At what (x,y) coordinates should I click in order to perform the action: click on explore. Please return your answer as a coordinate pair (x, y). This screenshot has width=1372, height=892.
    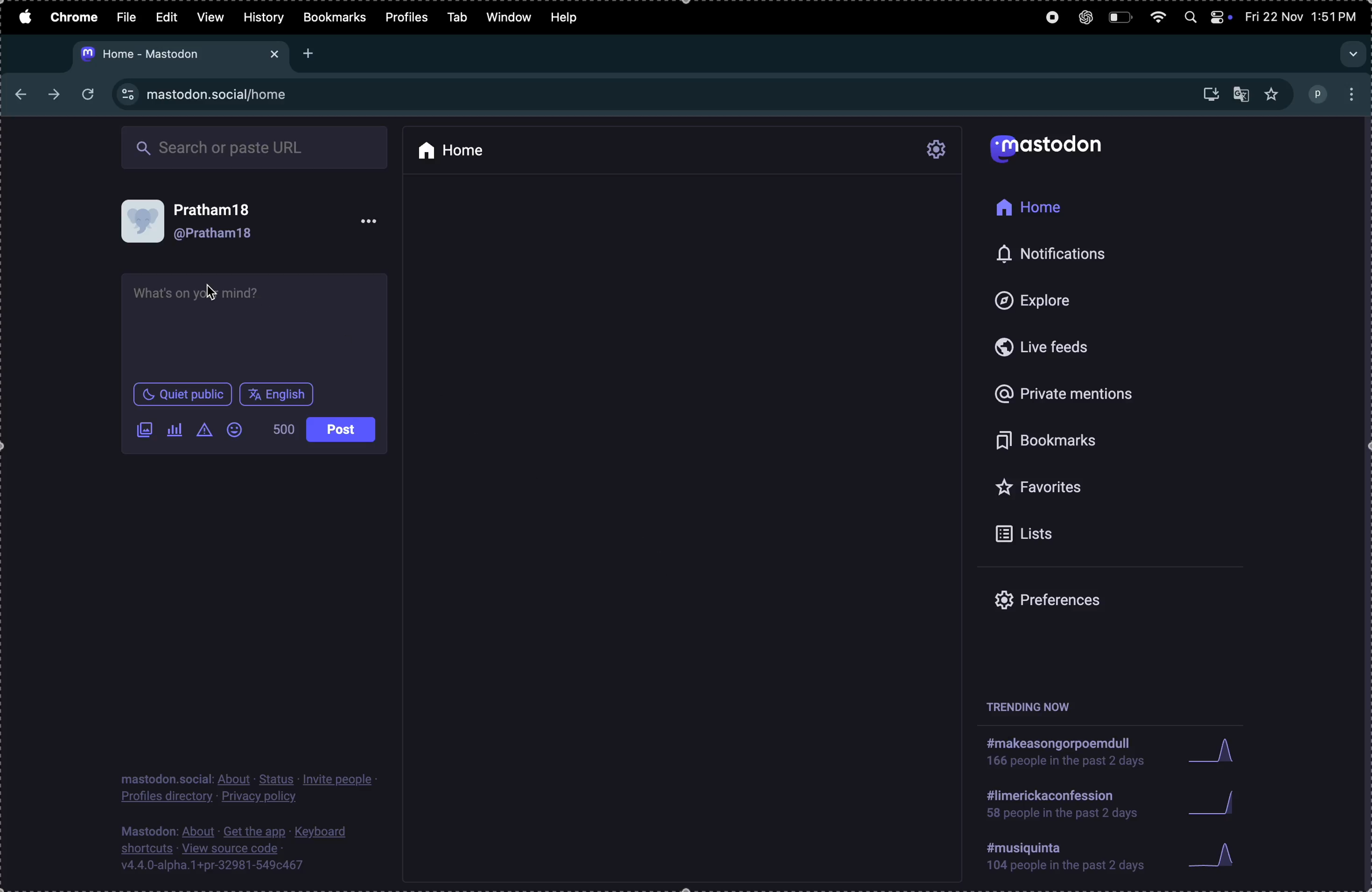
    Looking at the image, I should click on (1069, 297).